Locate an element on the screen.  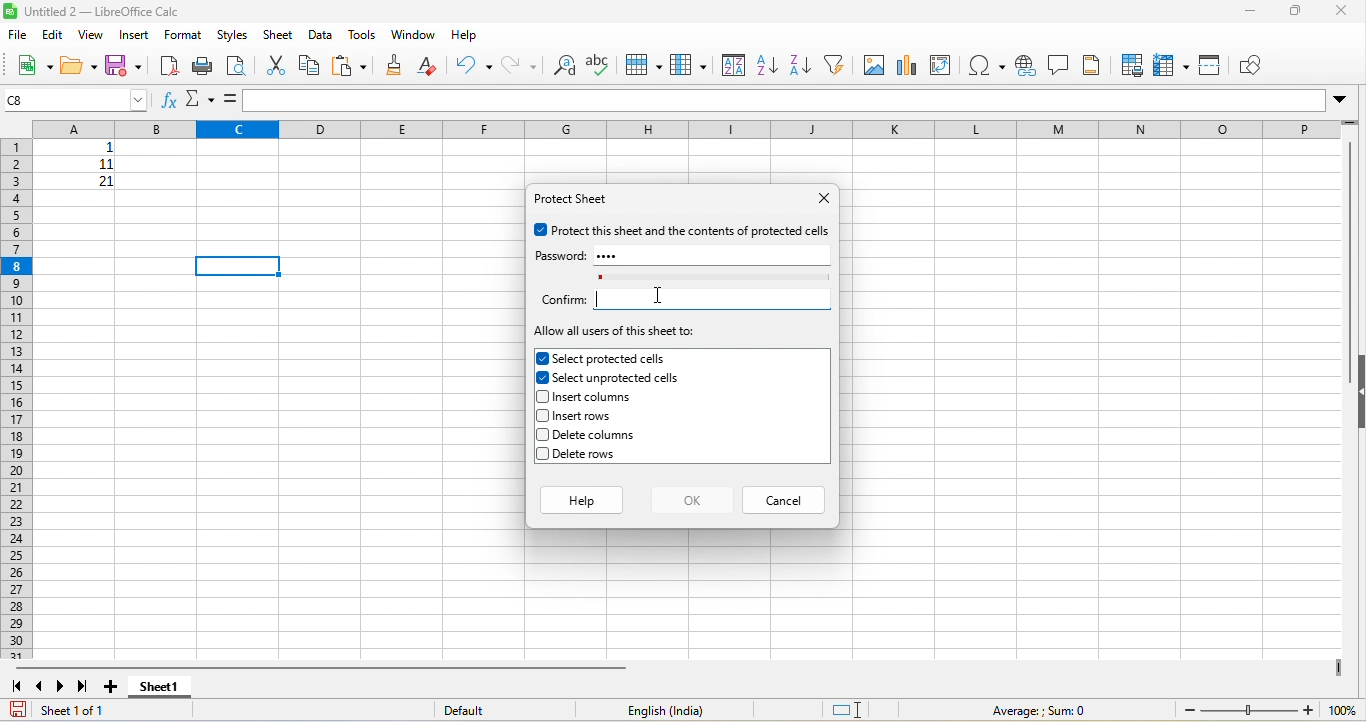
sheet is located at coordinates (280, 35).